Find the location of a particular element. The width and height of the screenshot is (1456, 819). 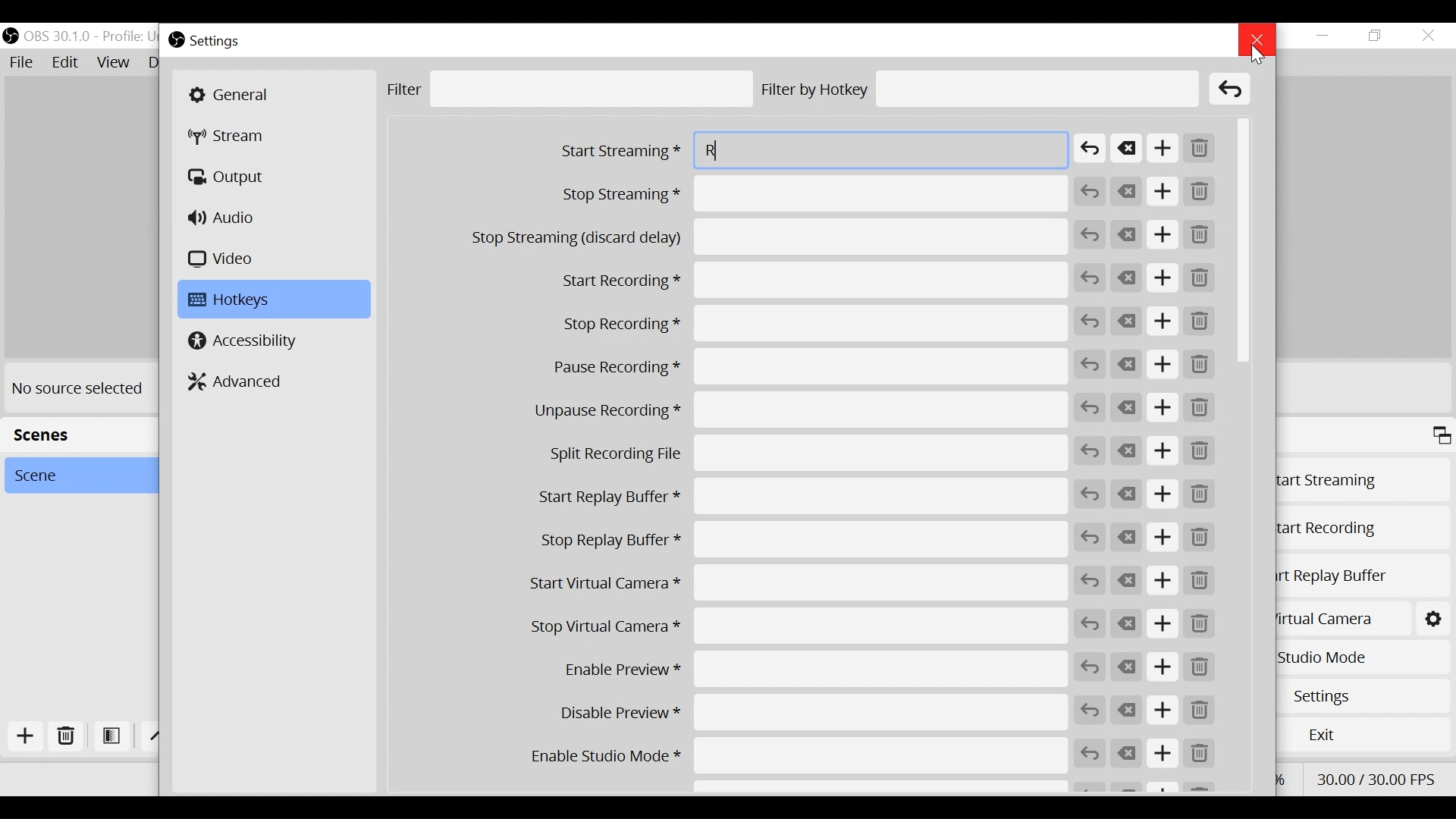

Start Recording is located at coordinates (800, 279).